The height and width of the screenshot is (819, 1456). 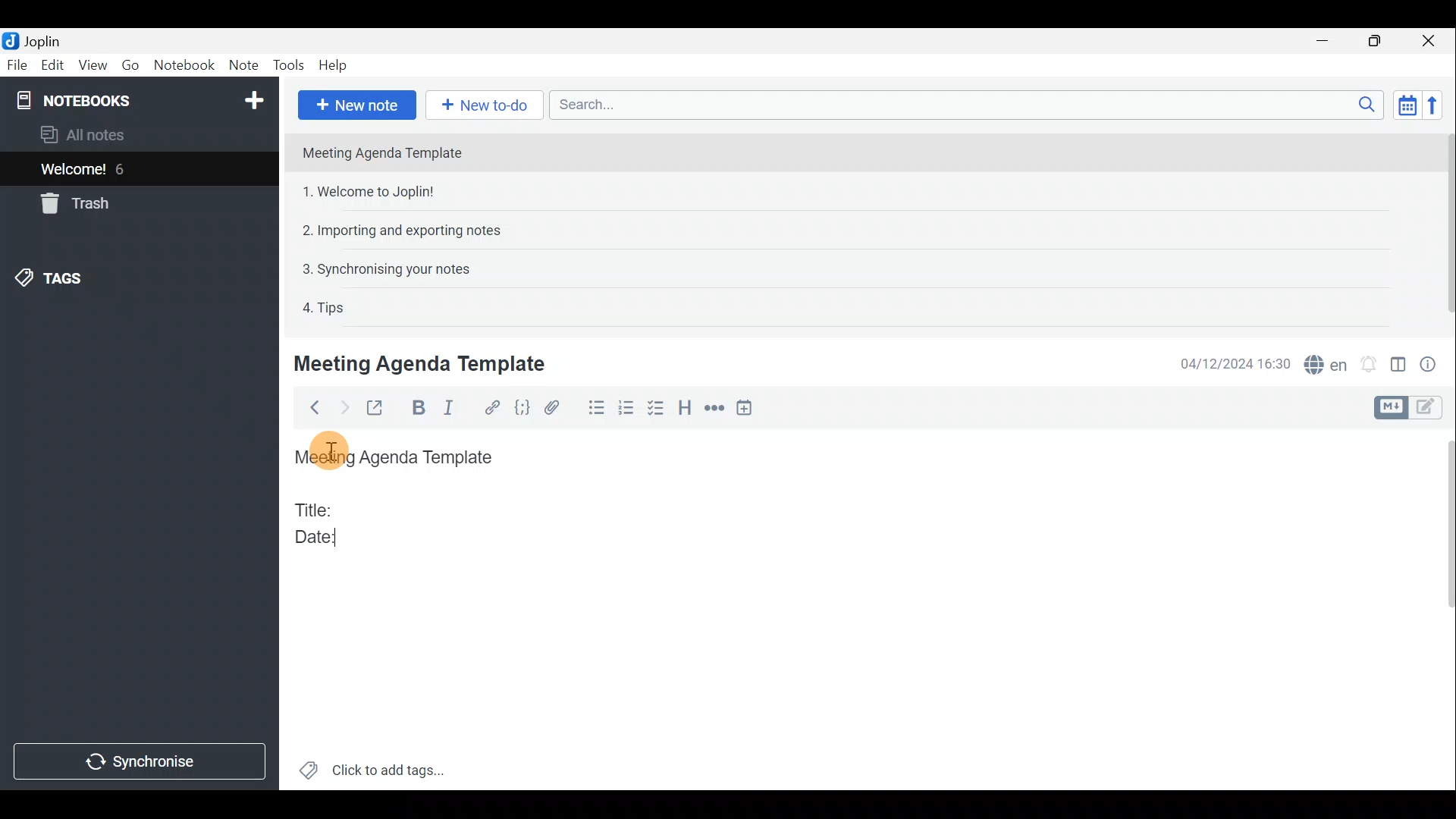 What do you see at coordinates (715, 410) in the screenshot?
I see `Horizontal rule` at bounding box center [715, 410].